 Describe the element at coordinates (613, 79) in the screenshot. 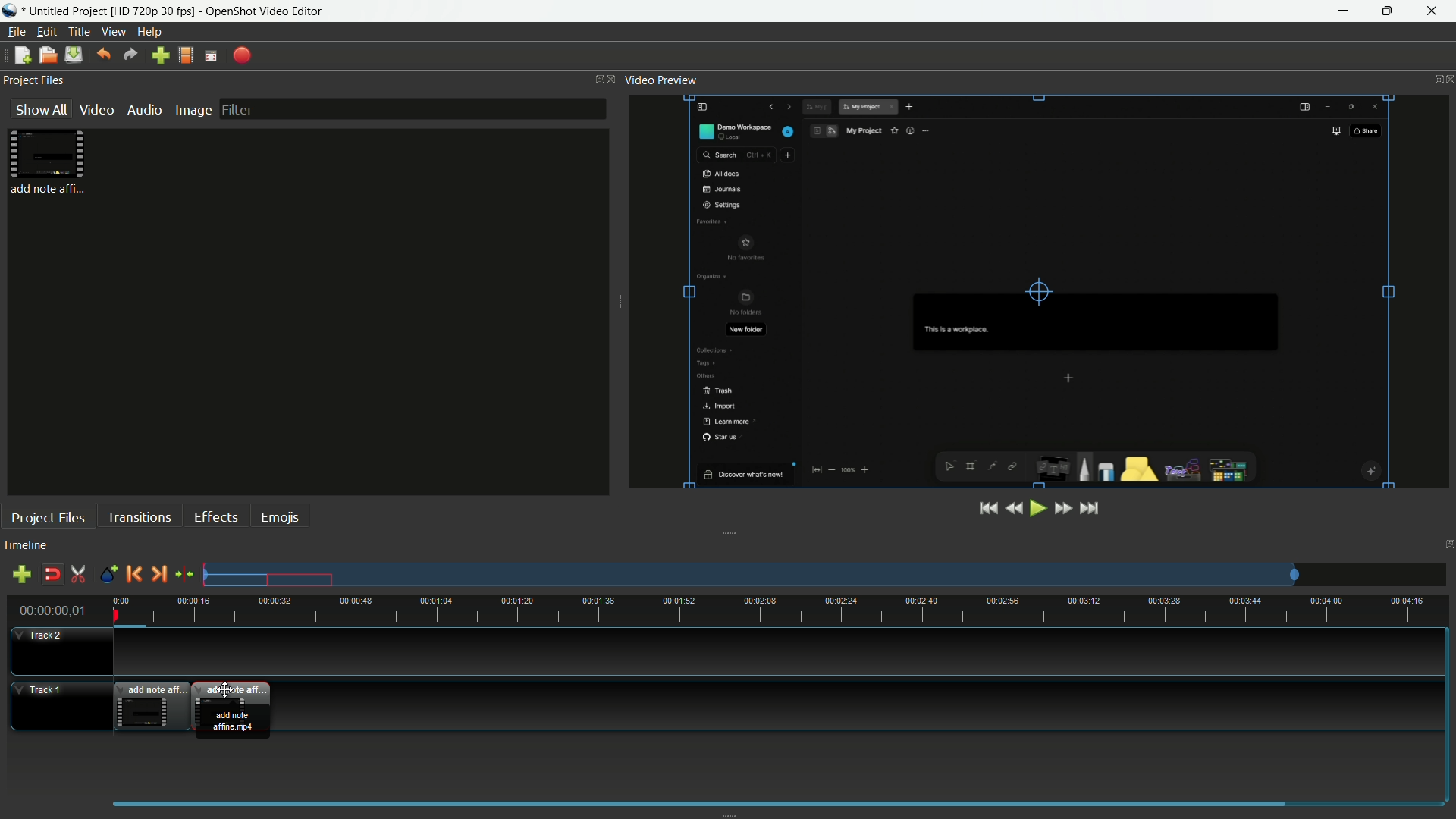

I see `close project files` at that location.